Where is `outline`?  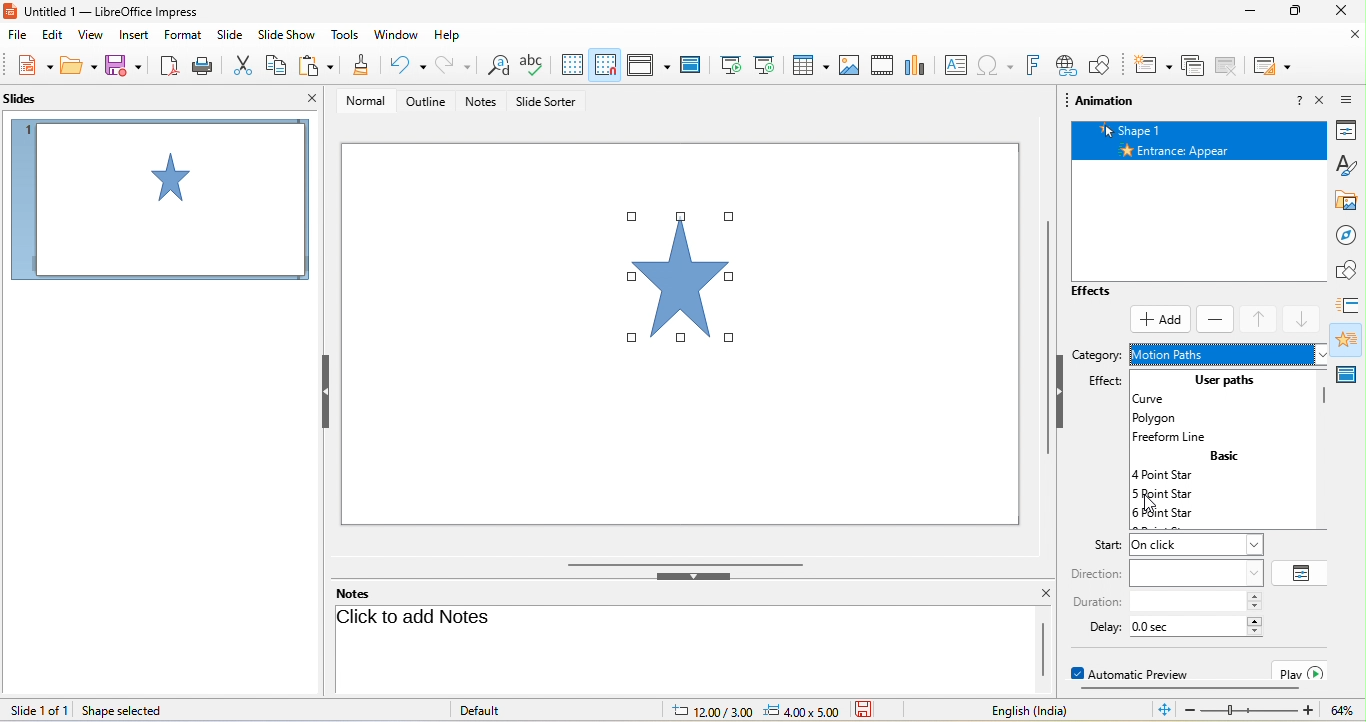 outline is located at coordinates (429, 105).